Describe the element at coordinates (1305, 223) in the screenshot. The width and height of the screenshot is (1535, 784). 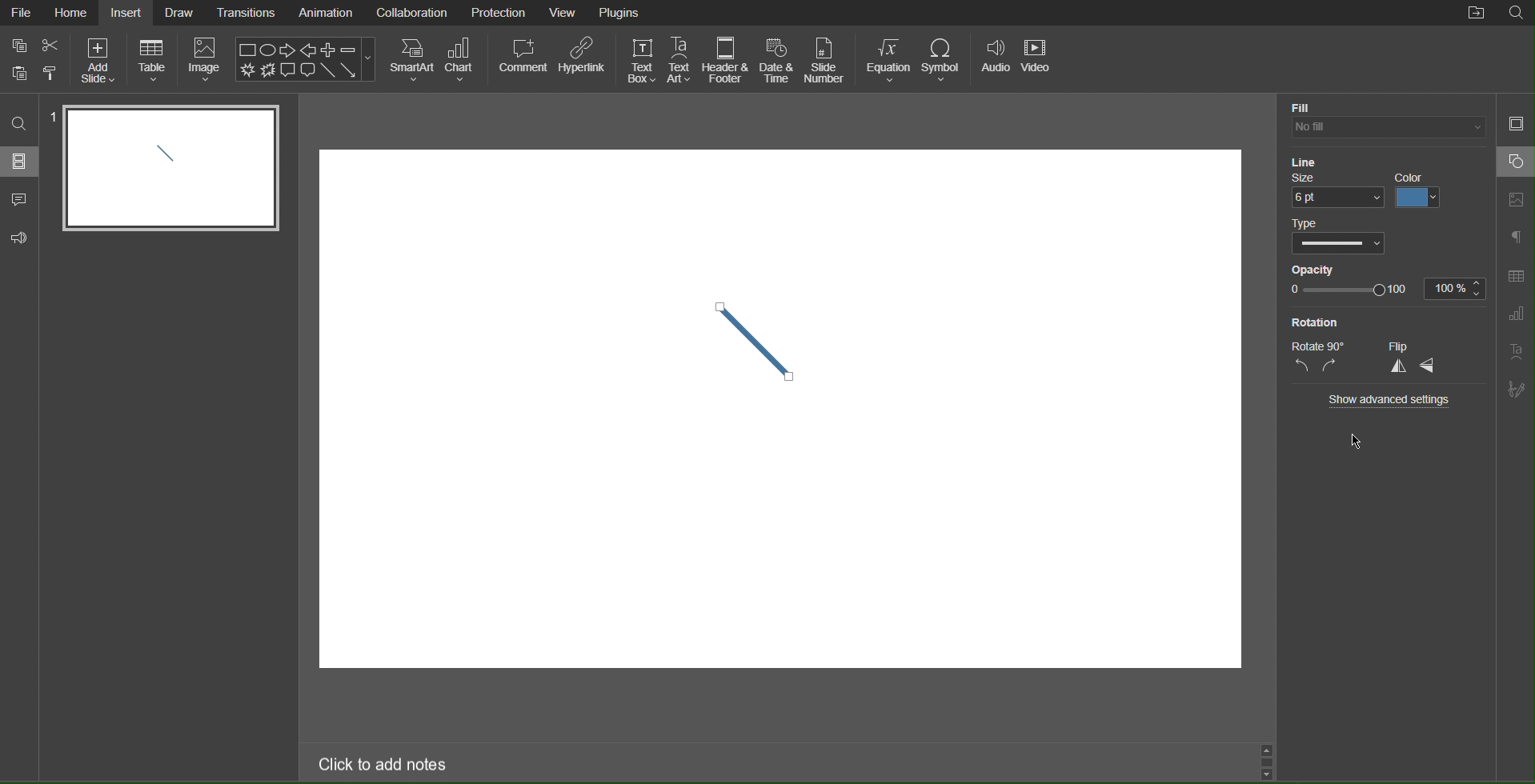
I see `Type` at that location.